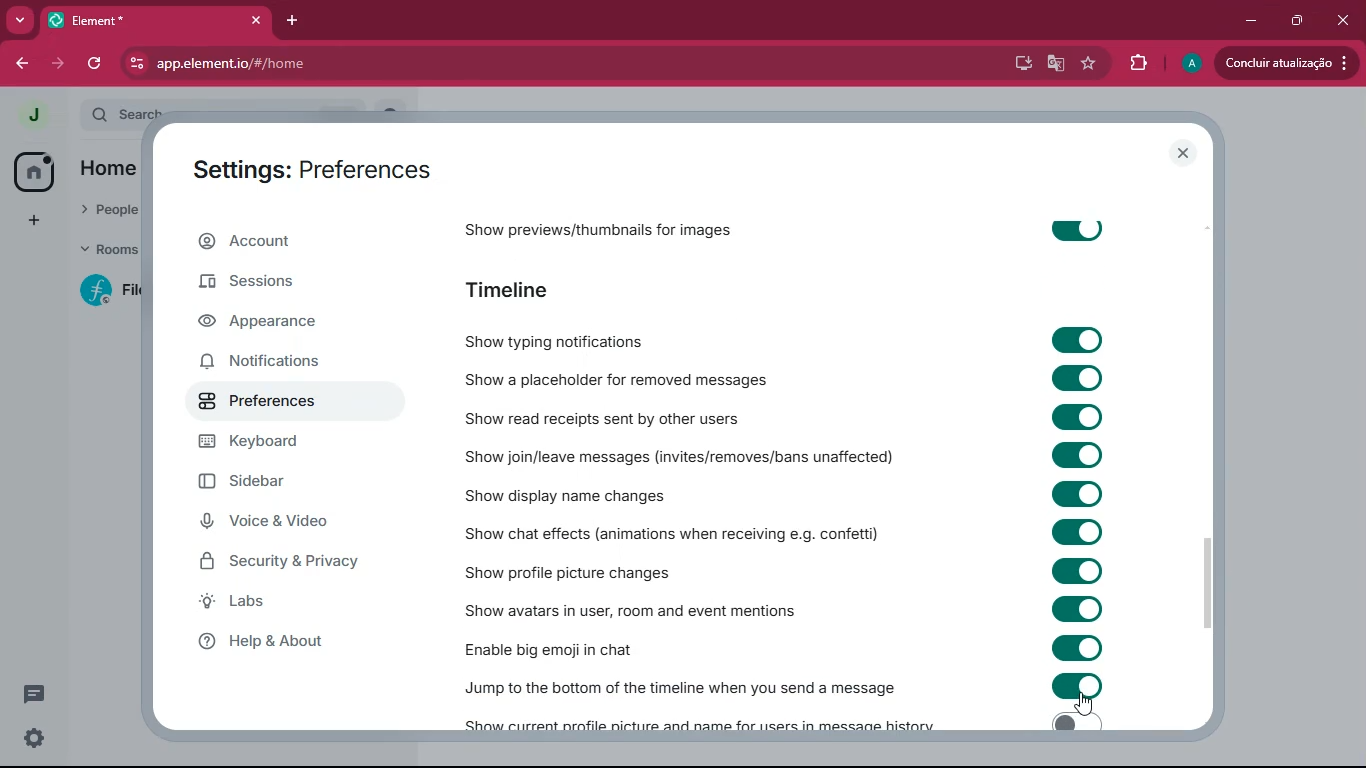 This screenshot has height=768, width=1366. Describe the element at coordinates (276, 445) in the screenshot. I see `keyboard` at that location.